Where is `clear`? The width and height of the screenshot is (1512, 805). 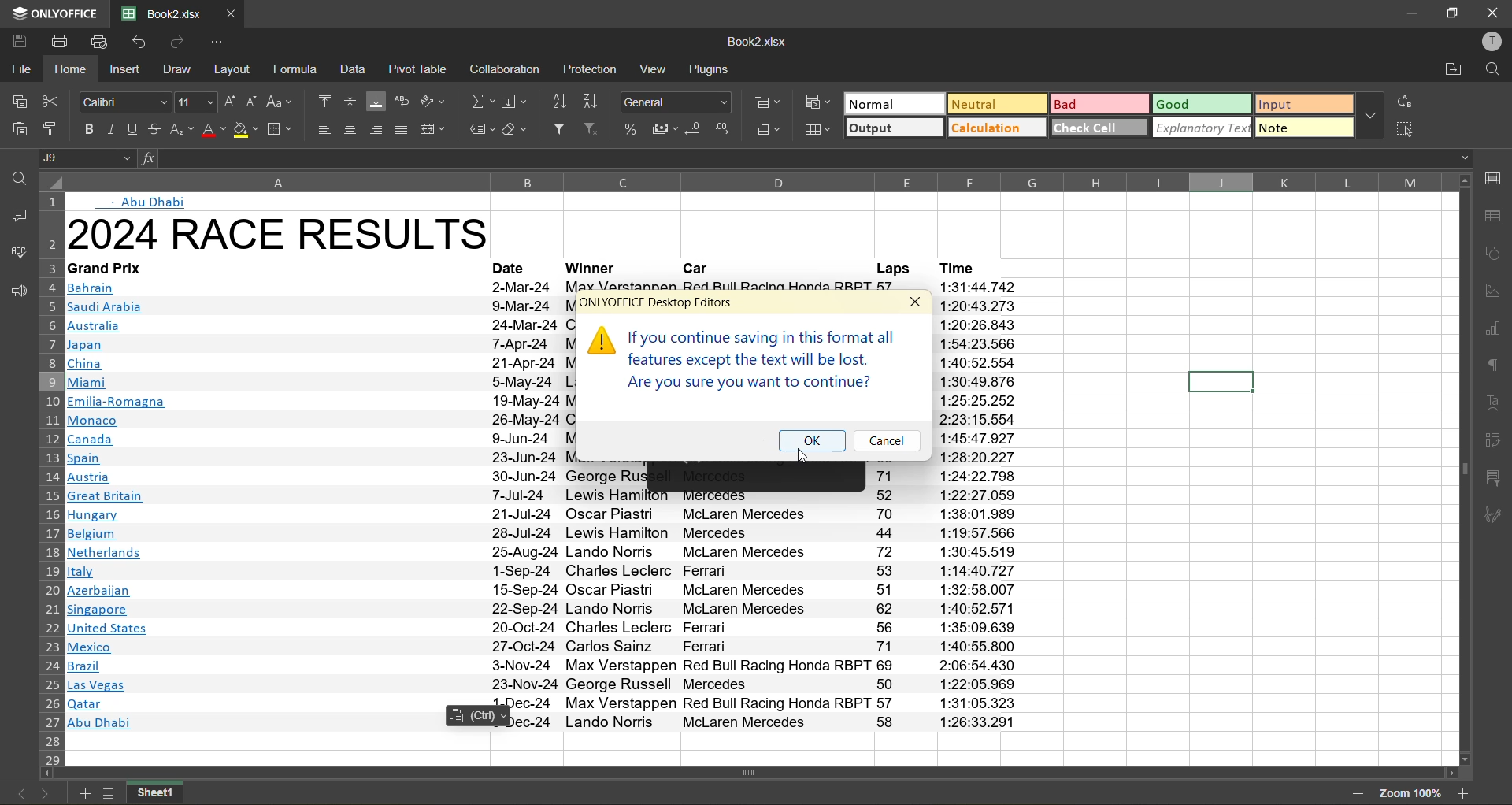
clear is located at coordinates (517, 128).